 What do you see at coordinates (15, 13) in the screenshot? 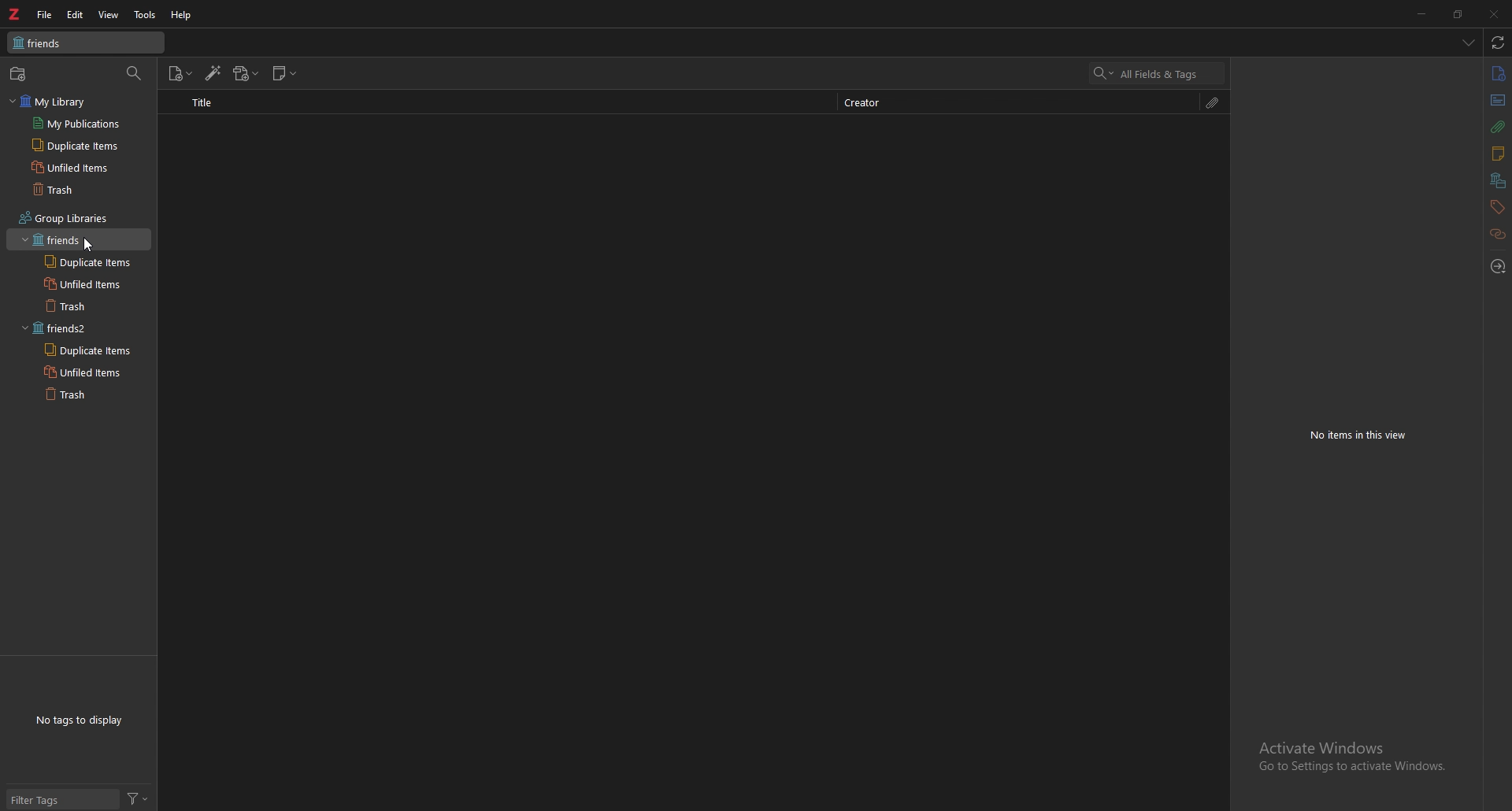
I see `zotero` at bounding box center [15, 13].